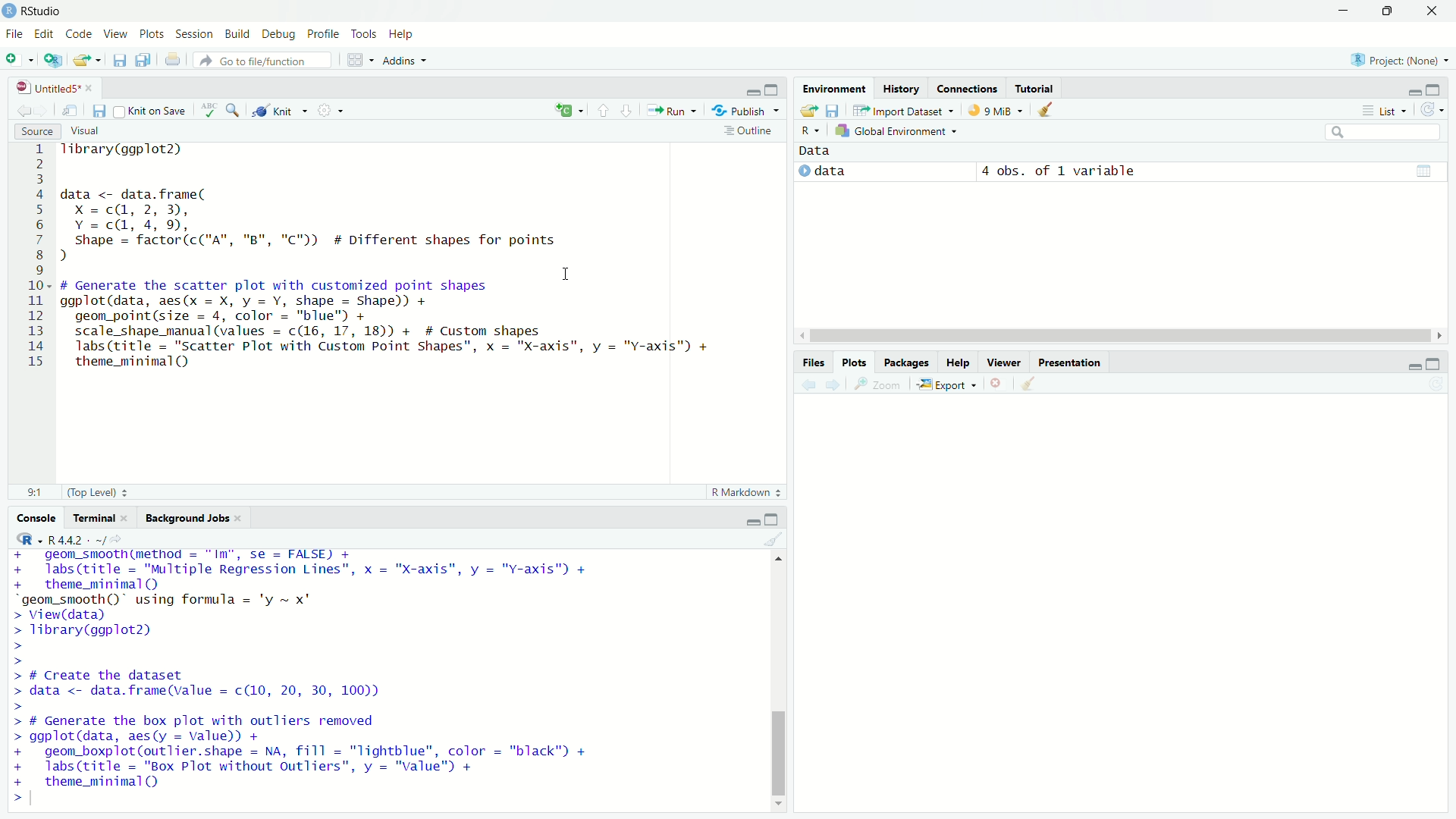 The image size is (1456, 819). What do you see at coordinates (388, 258) in the screenshot?
I see `1ibrary(ggplot2)
data <- data.frame(
X =cQ, 2, 3),
Y=cd, 4,9,
Shape = factor(c("A", "B", "C")) # Different shapes for points
d
. . . I
# Generate the scatter plot with customized point shapes
ggplot(data, aes(x = X, y = Y, shape = Shape)) +
geom_point(size = 4, color = "blue") +
scale_shape_manual (values = c(16, 17, 18)) + # Custom shapes
Tabs (title = "Scatter Plot with Custom Point Shapes", x = "X-axis", y = "Y-axis") +
theme_minimal()` at bounding box center [388, 258].